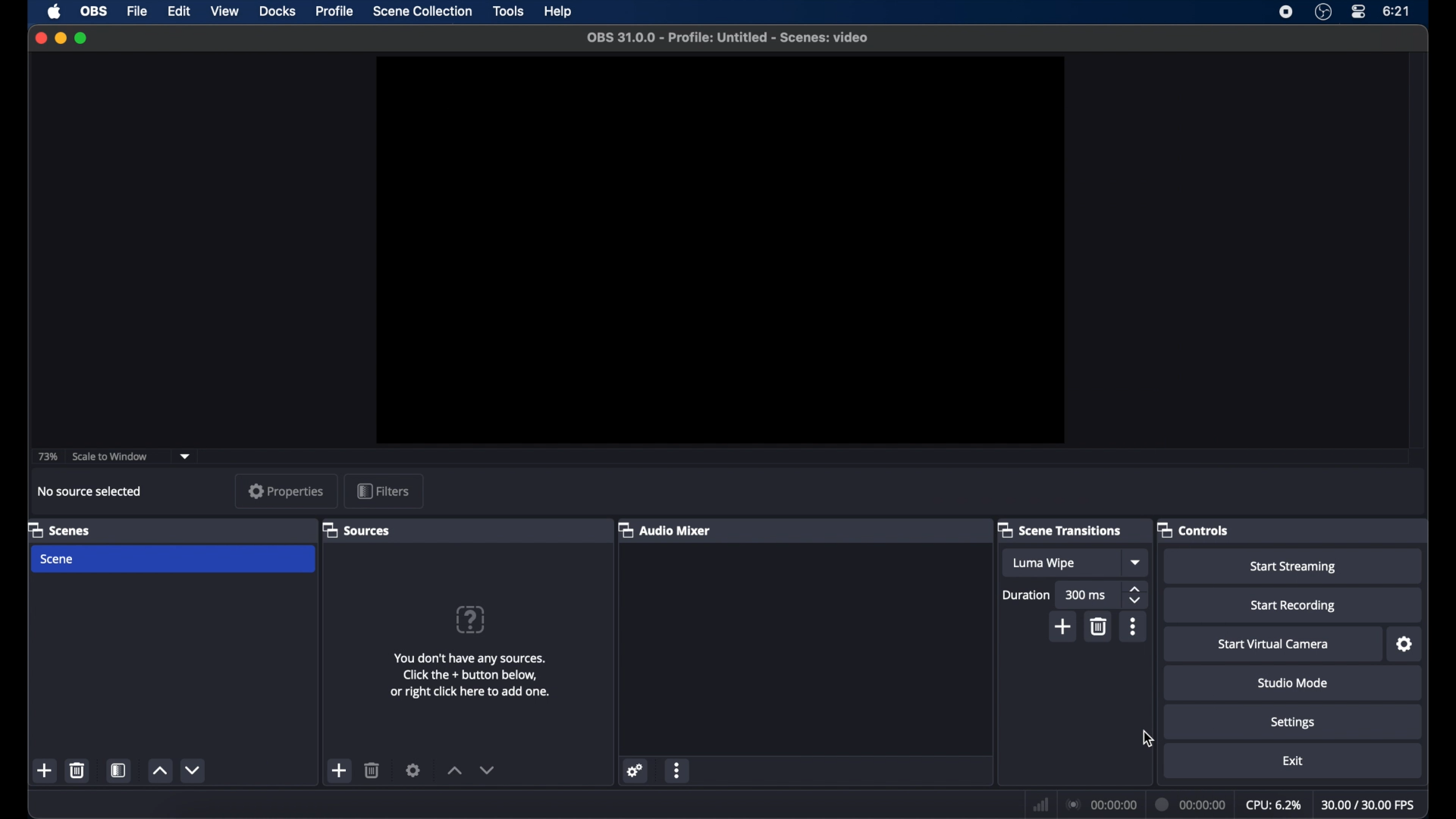 This screenshot has height=819, width=1456. I want to click on scene transitions, so click(1060, 529).